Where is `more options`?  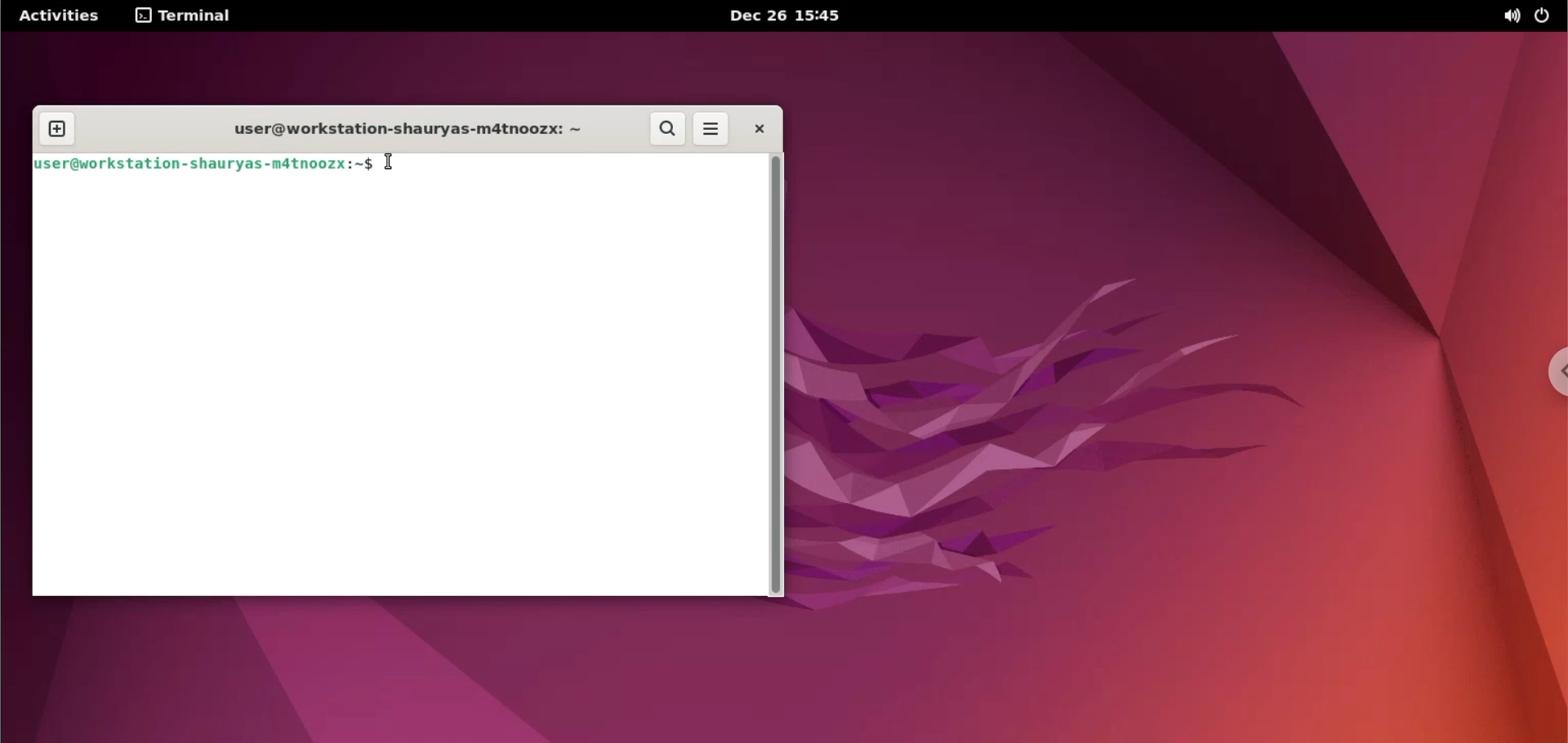
more options is located at coordinates (711, 130).